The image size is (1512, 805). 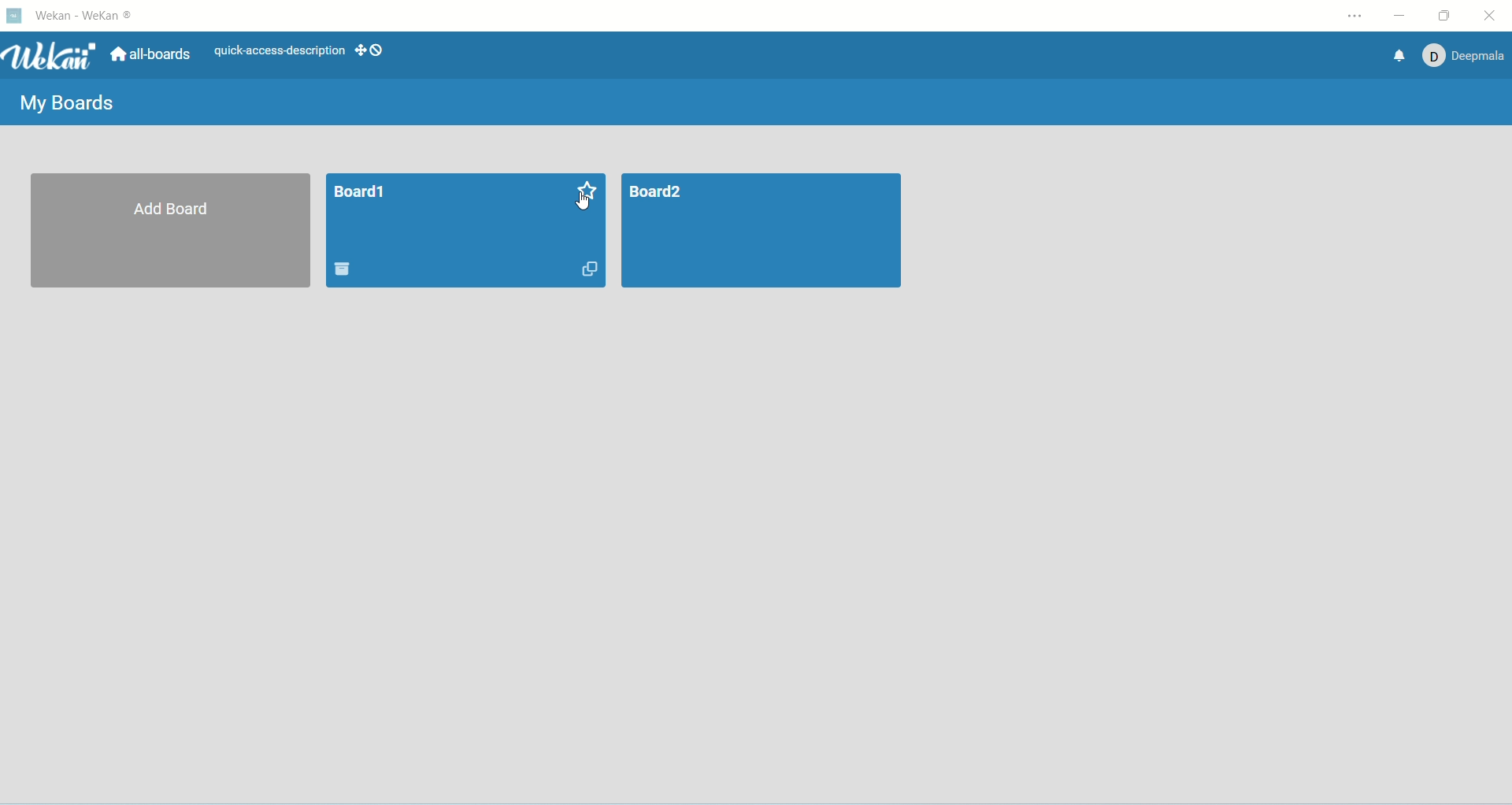 I want to click on add board, so click(x=170, y=232).